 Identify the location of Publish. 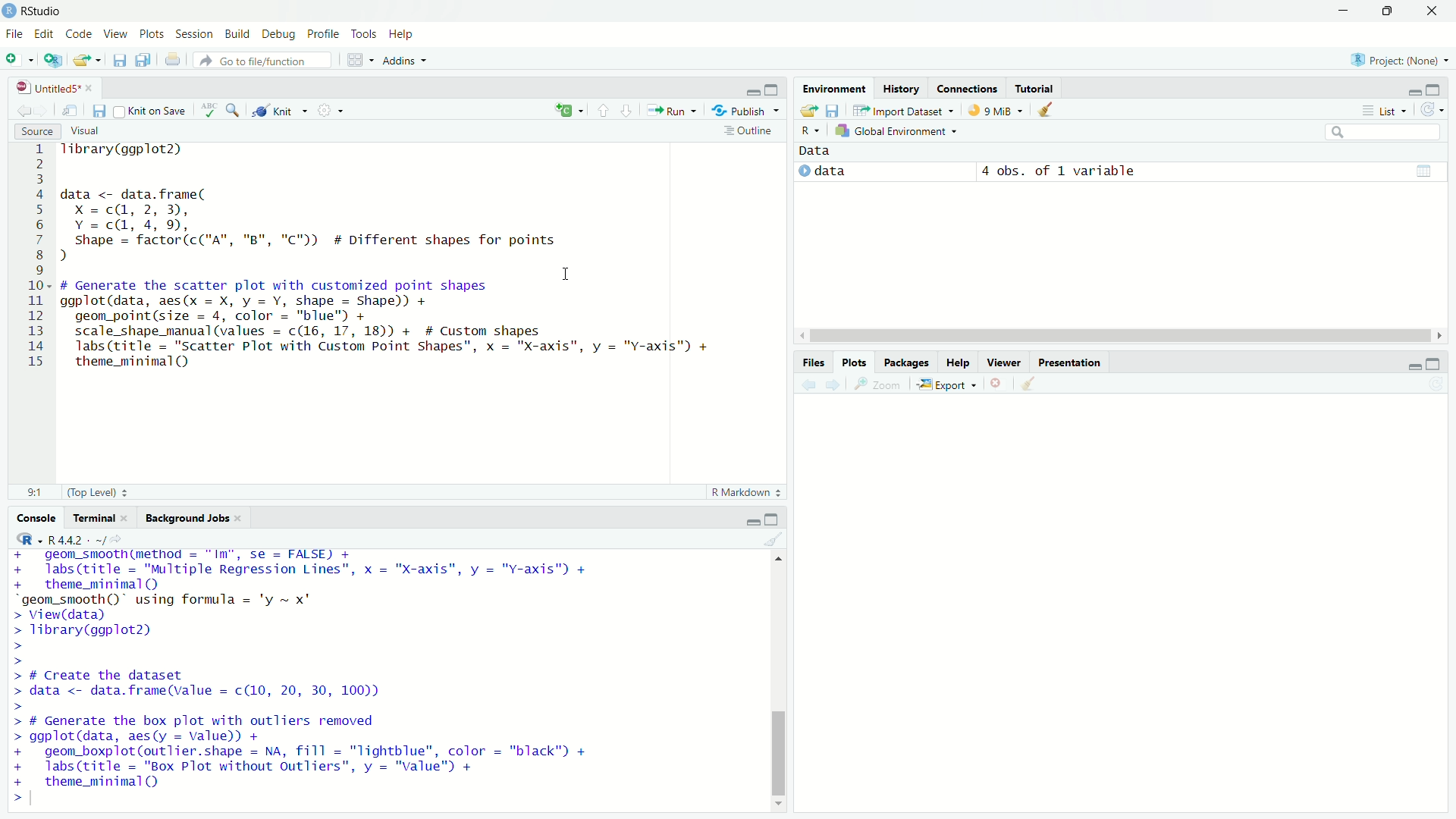
(745, 110).